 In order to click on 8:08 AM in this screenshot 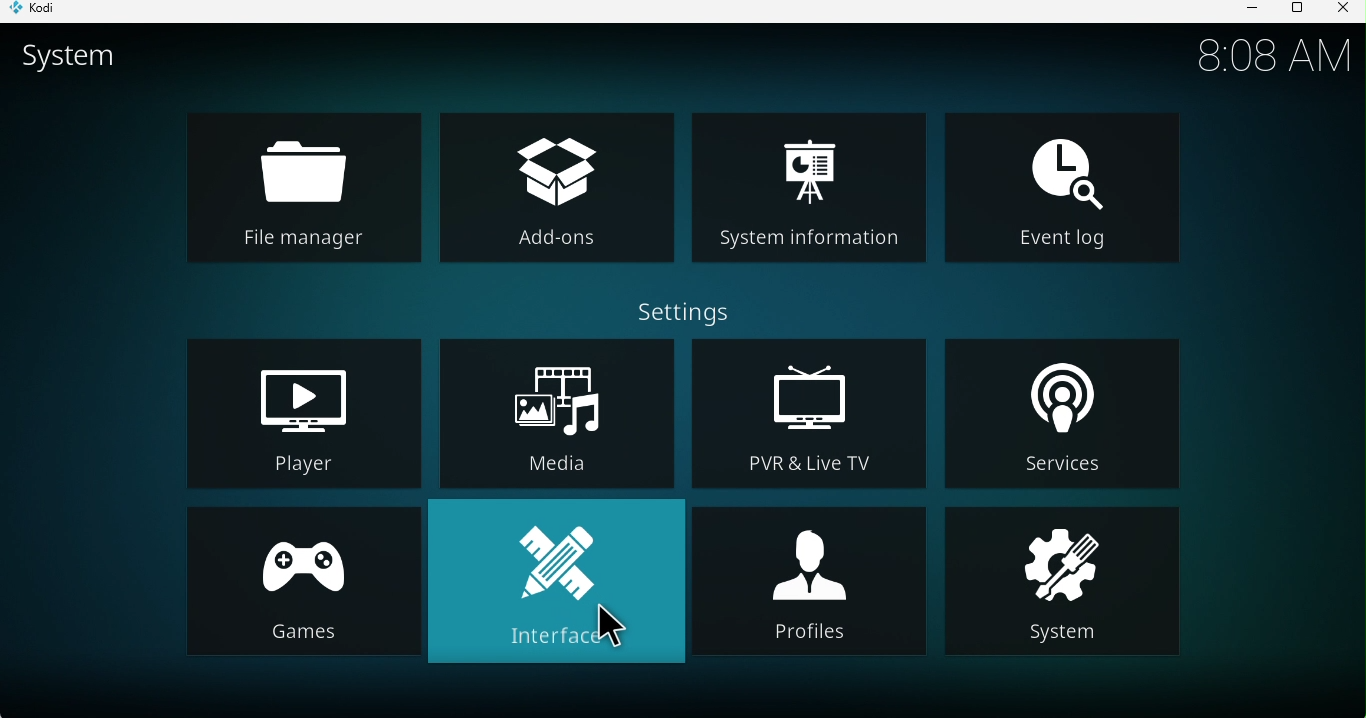, I will do `click(1277, 60)`.